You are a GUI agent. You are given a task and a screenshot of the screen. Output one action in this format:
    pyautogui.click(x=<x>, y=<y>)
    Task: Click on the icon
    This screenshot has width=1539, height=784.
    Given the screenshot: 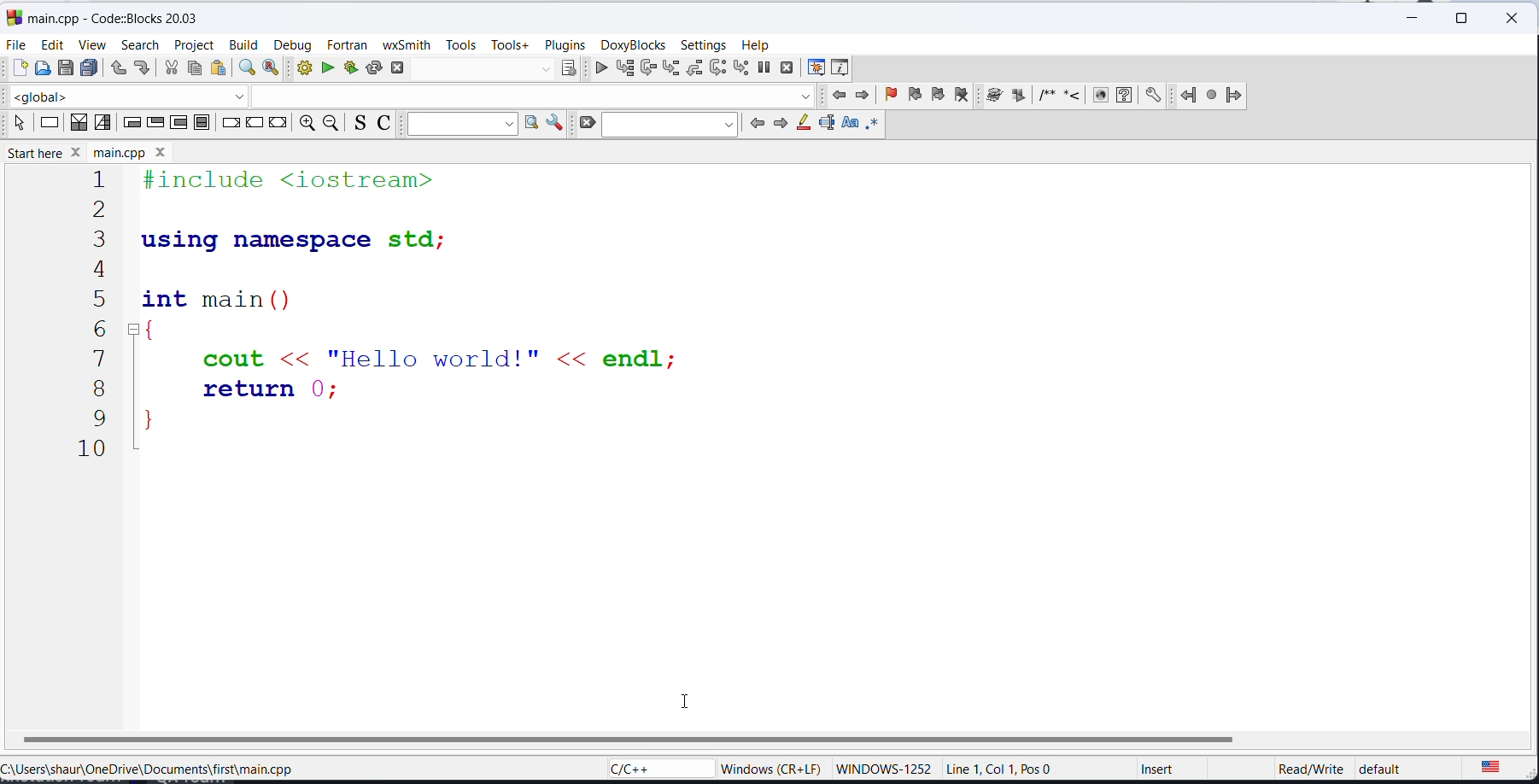 What is the action you would take?
    pyautogui.click(x=993, y=97)
    